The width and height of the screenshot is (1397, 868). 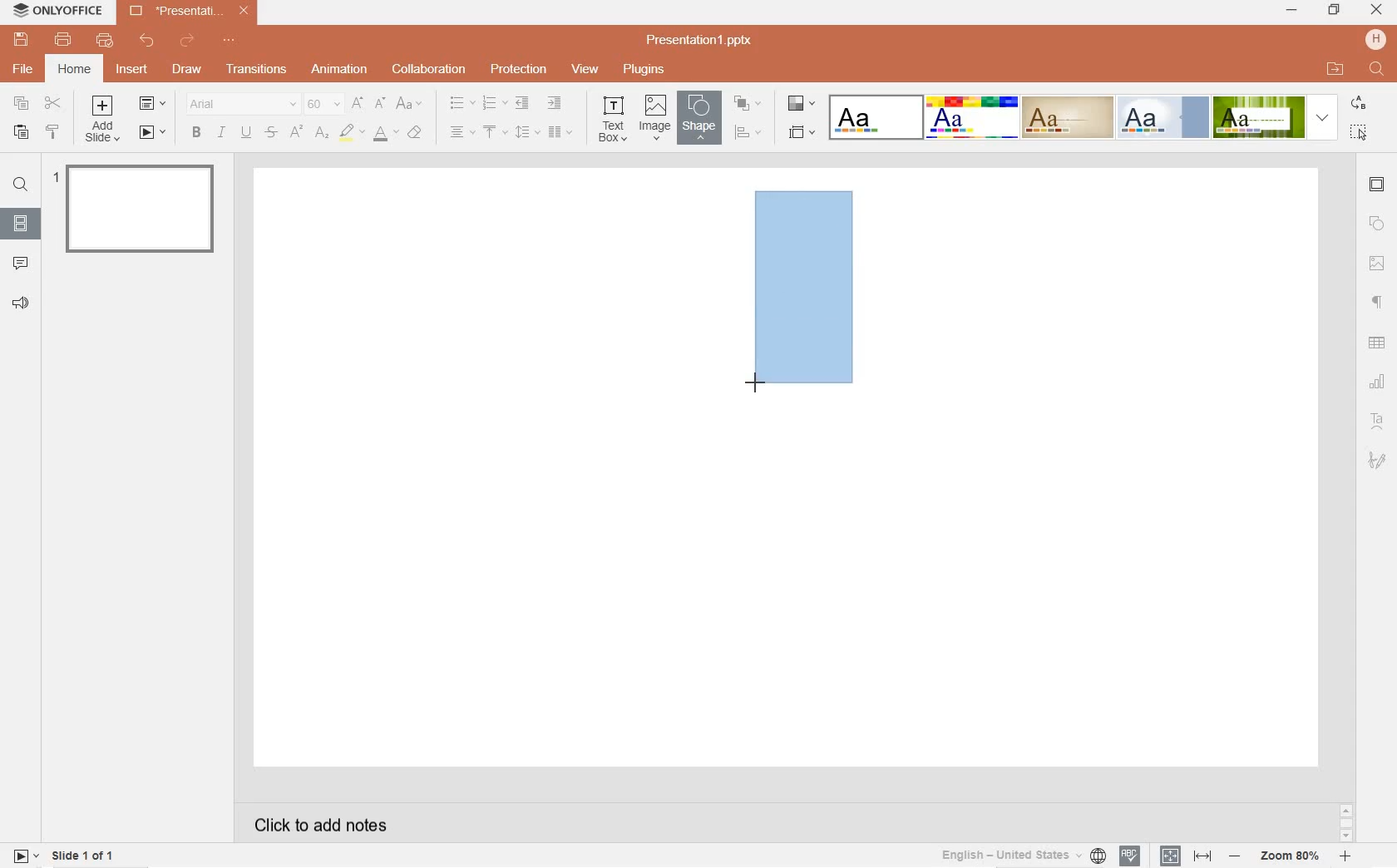 What do you see at coordinates (702, 40) in the screenshot?
I see `Presentation1.pptx` at bounding box center [702, 40].